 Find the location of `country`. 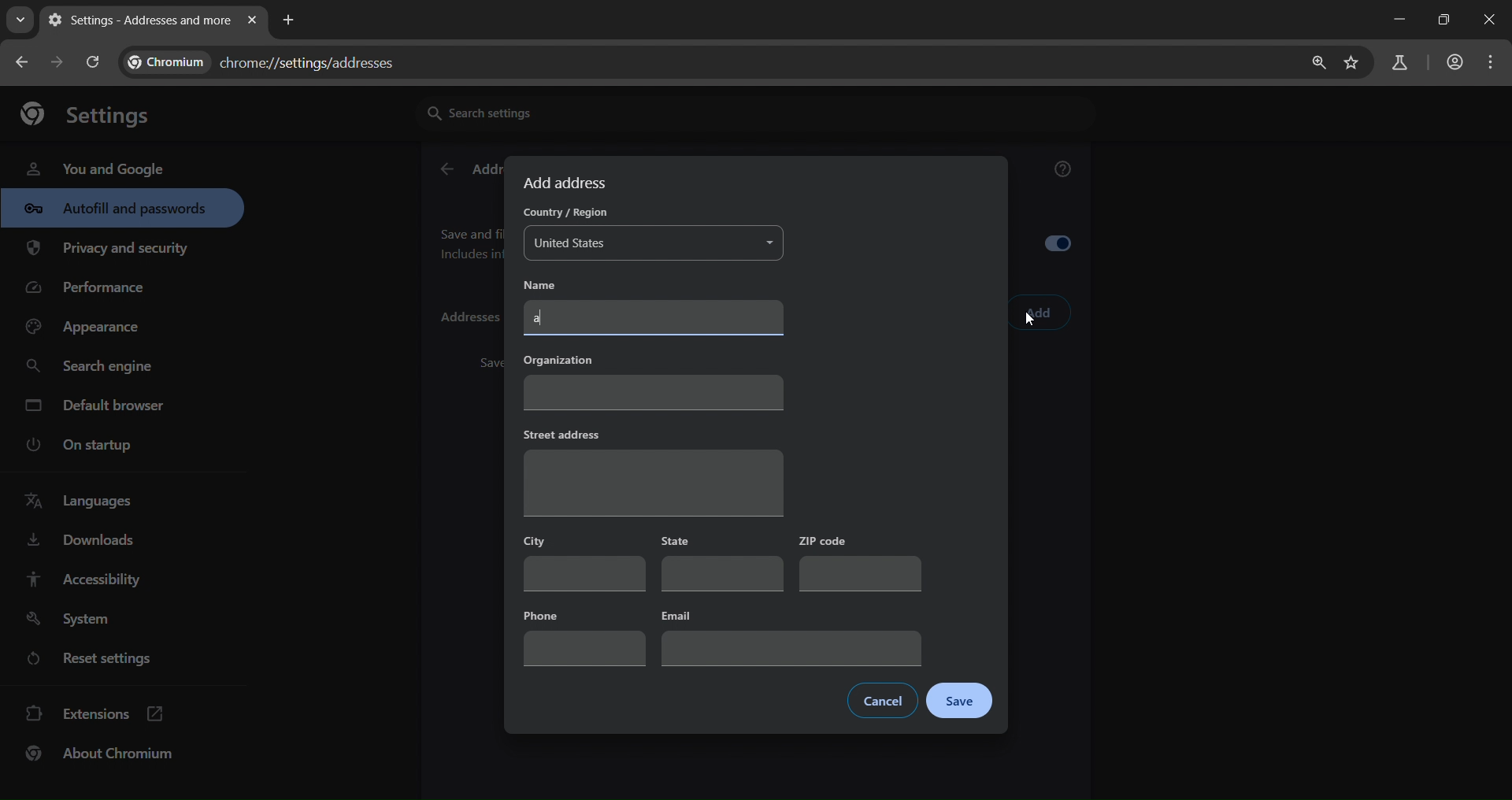

country is located at coordinates (562, 214).